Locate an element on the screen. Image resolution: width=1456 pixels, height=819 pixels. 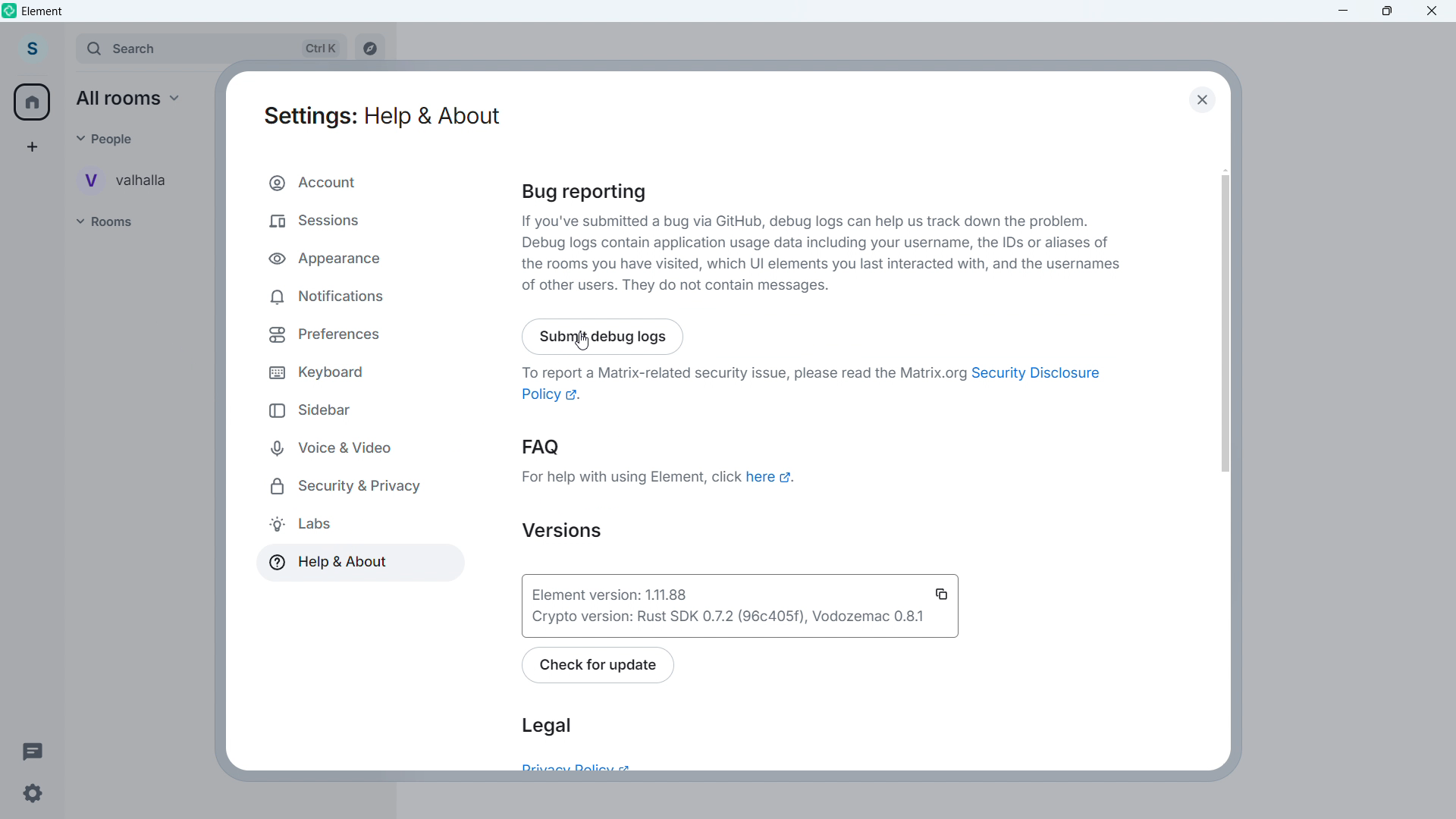
cursor is located at coordinates (590, 344).